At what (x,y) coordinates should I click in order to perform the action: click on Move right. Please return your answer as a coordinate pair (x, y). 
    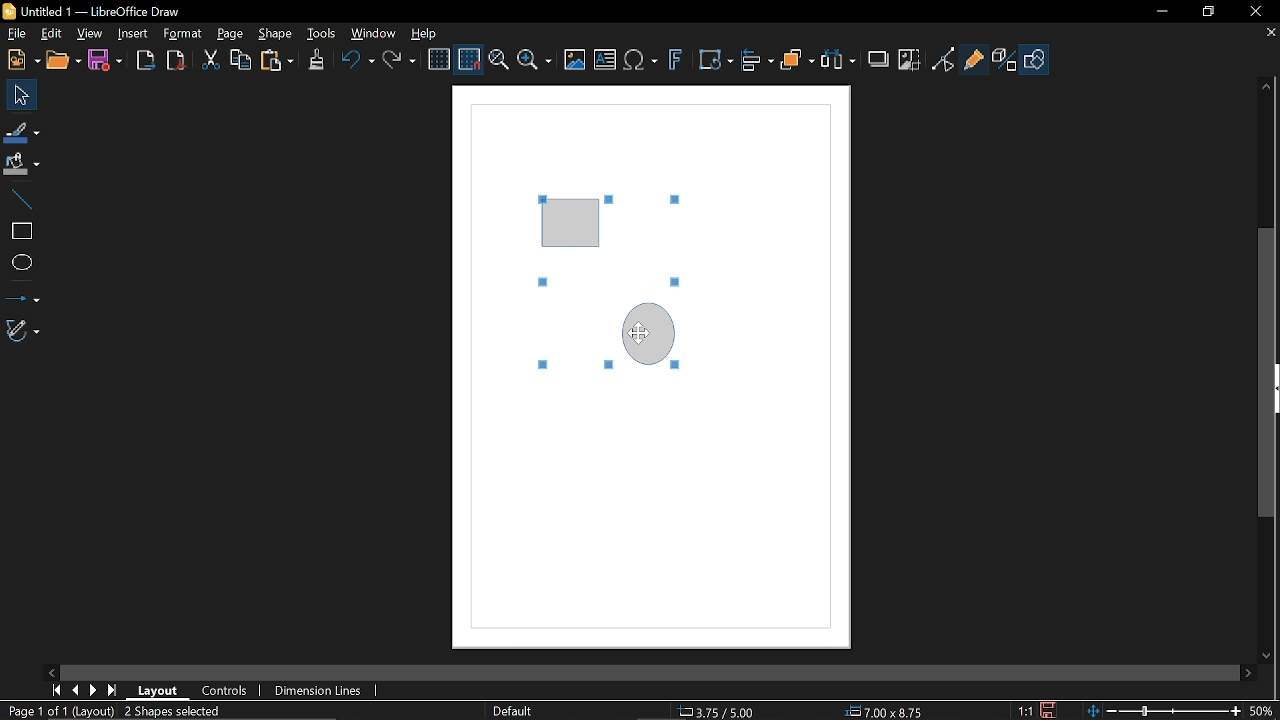
    Looking at the image, I should click on (1250, 674).